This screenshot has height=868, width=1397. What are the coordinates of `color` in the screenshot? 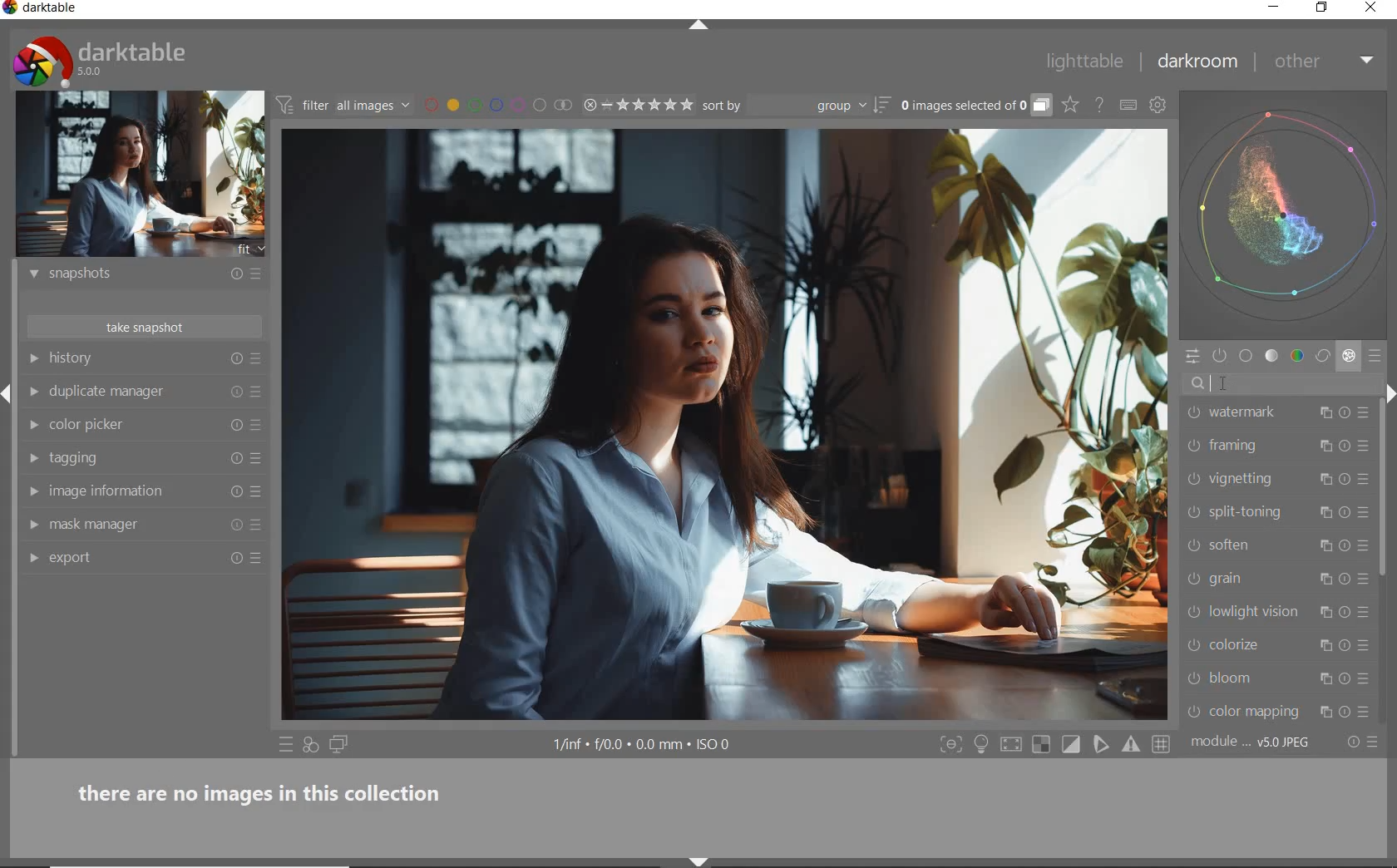 It's located at (1296, 357).